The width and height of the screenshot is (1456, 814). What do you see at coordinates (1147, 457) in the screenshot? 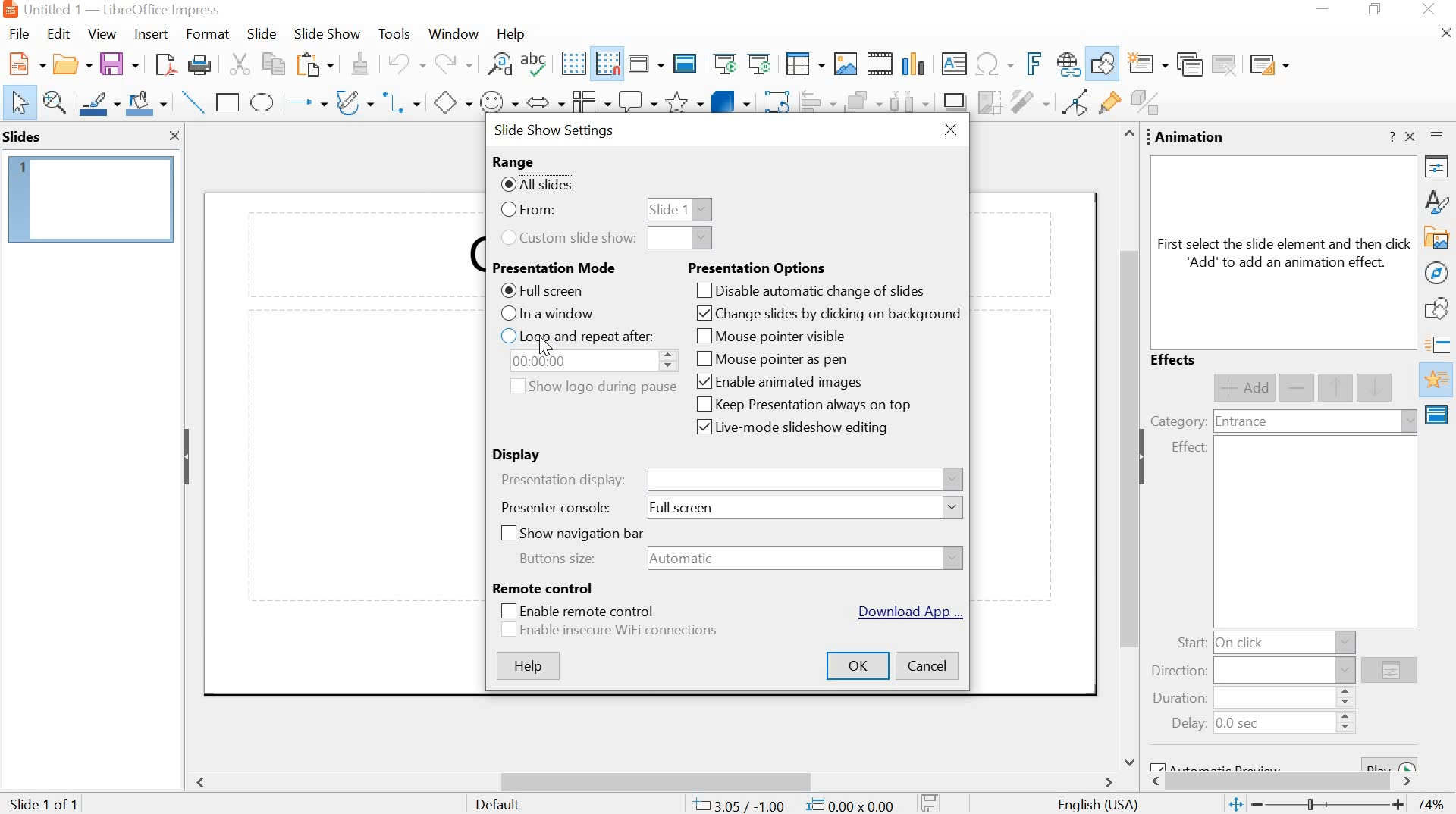
I see `collapse` at bounding box center [1147, 457].